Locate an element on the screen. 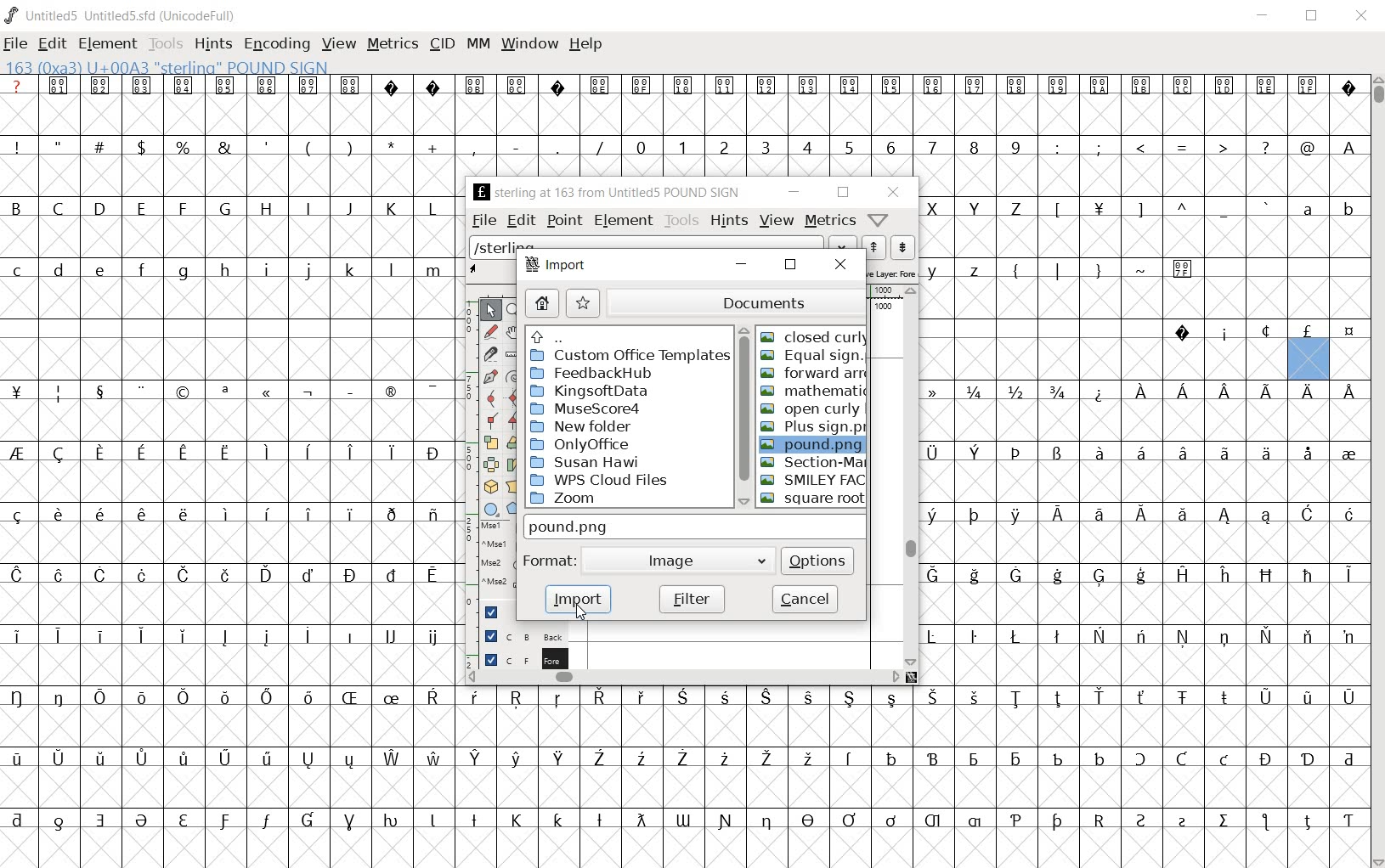 This screenshot has height=868, width=1385. Symbol is located at coordinates (350, 575).